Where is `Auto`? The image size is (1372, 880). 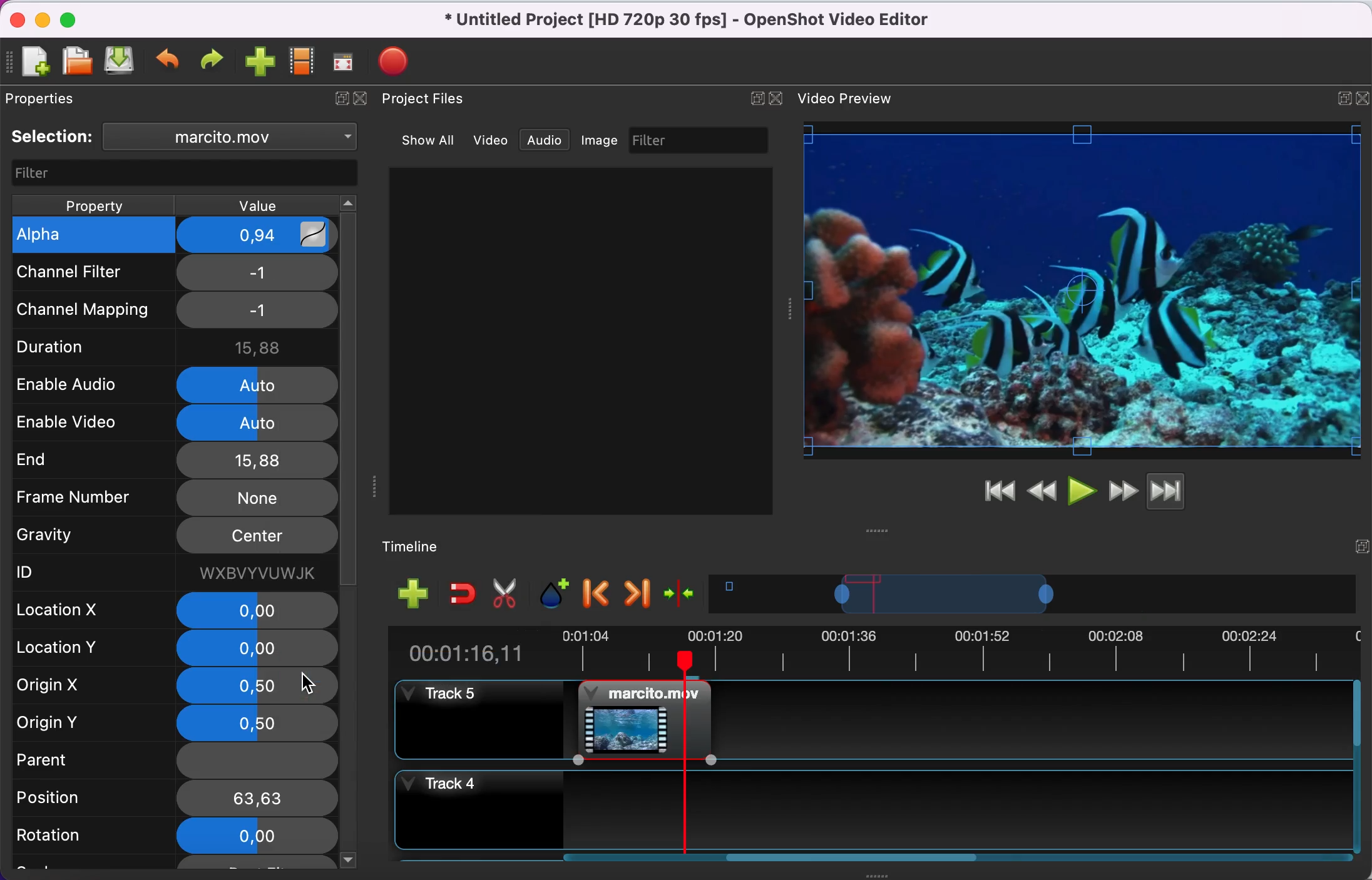
Auto is located at coordinates (258, 385).